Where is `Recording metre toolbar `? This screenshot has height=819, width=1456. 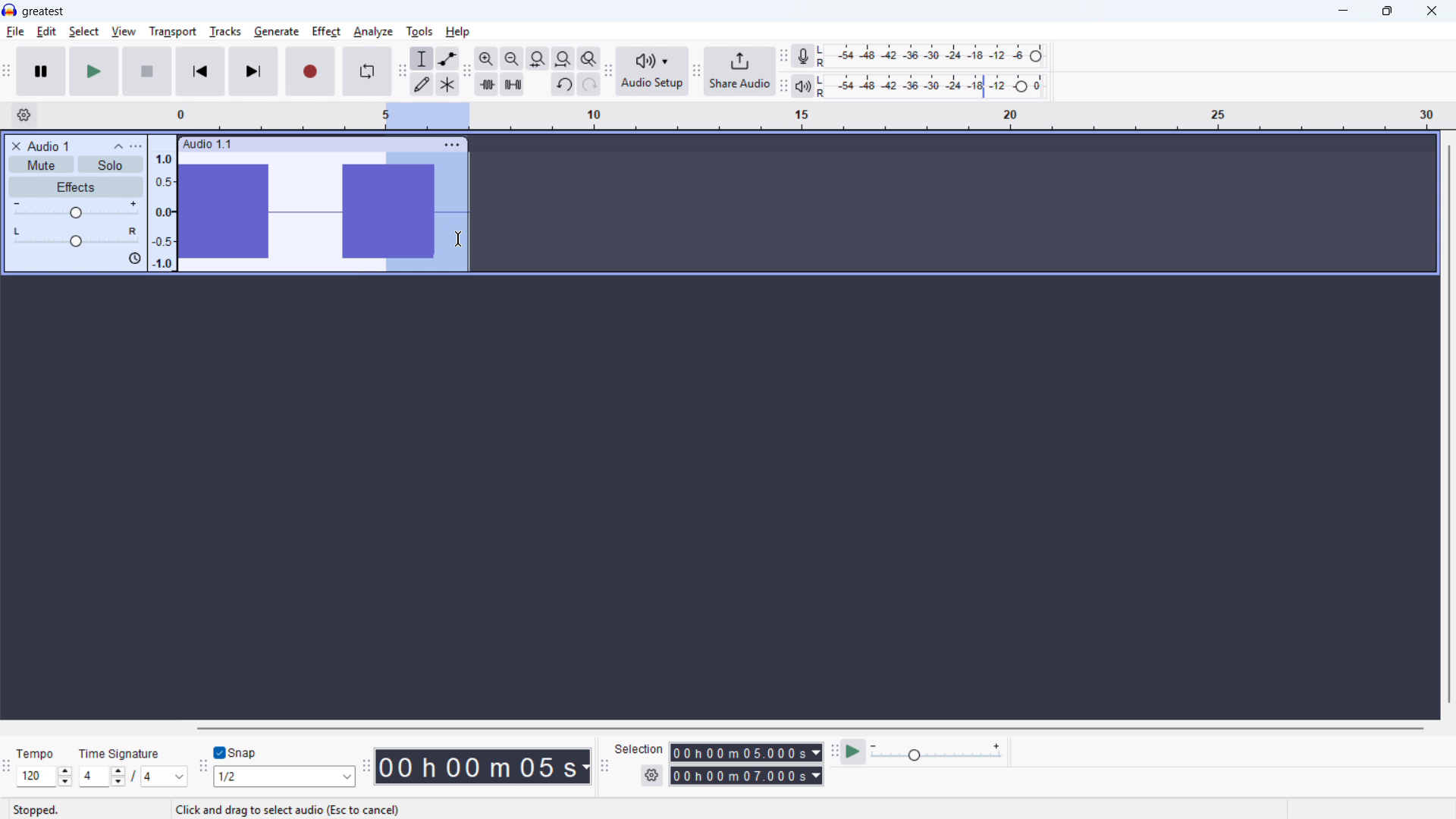
Recording metre toolbar  is located at coordinates (783, 57).